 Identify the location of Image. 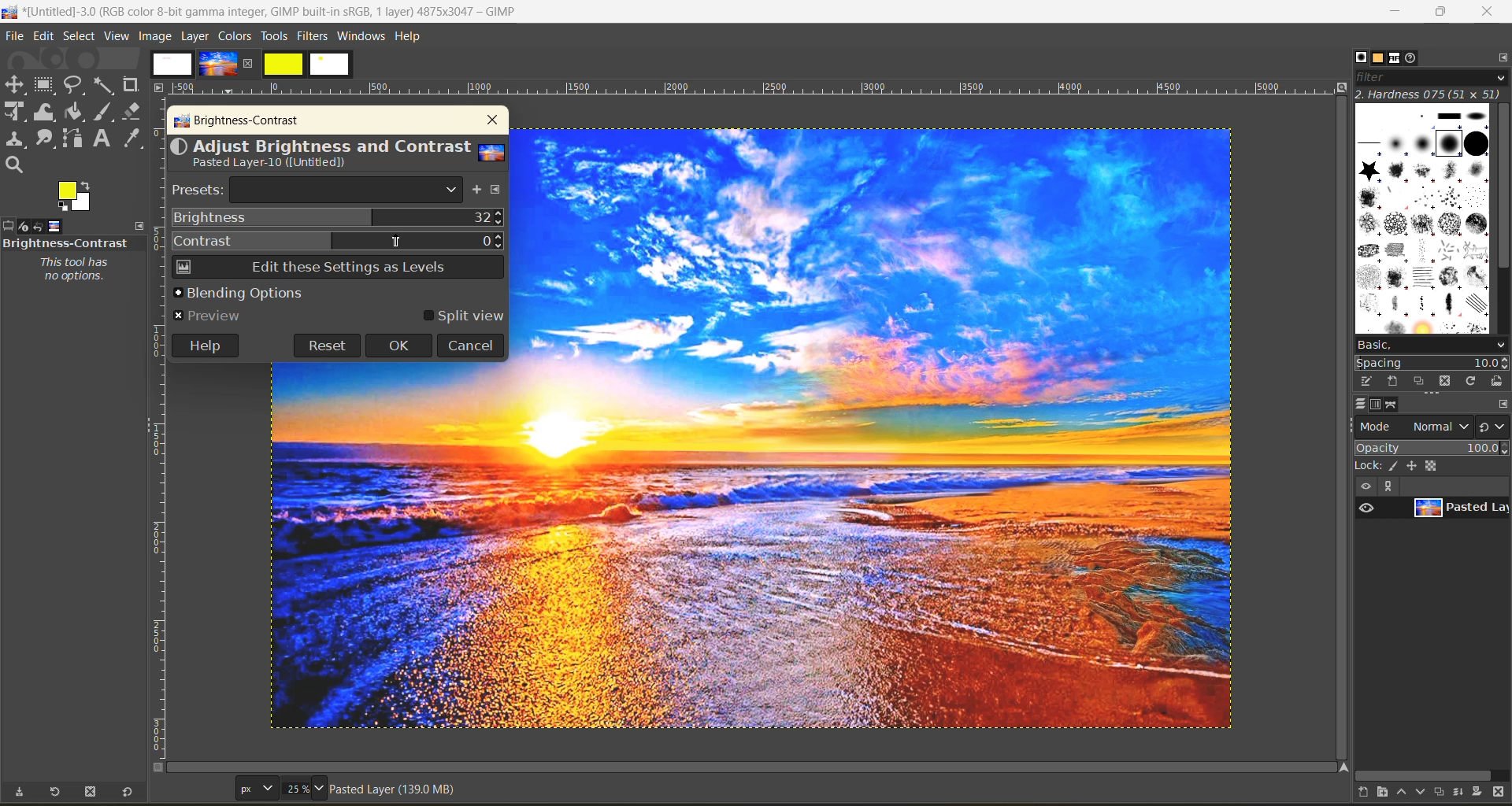
(394, 545).